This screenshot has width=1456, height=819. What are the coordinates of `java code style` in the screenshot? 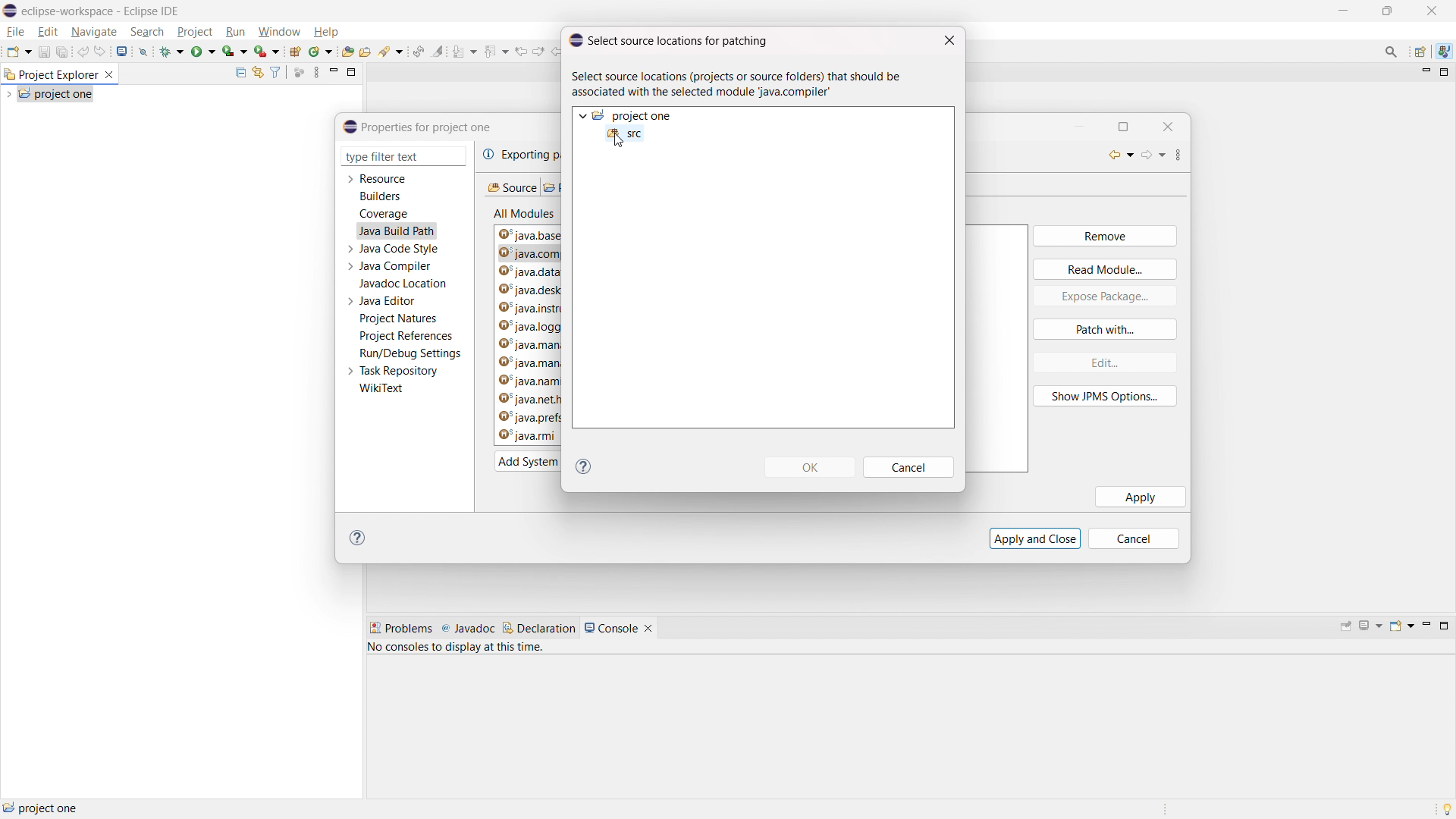 It's located at (400, 249).